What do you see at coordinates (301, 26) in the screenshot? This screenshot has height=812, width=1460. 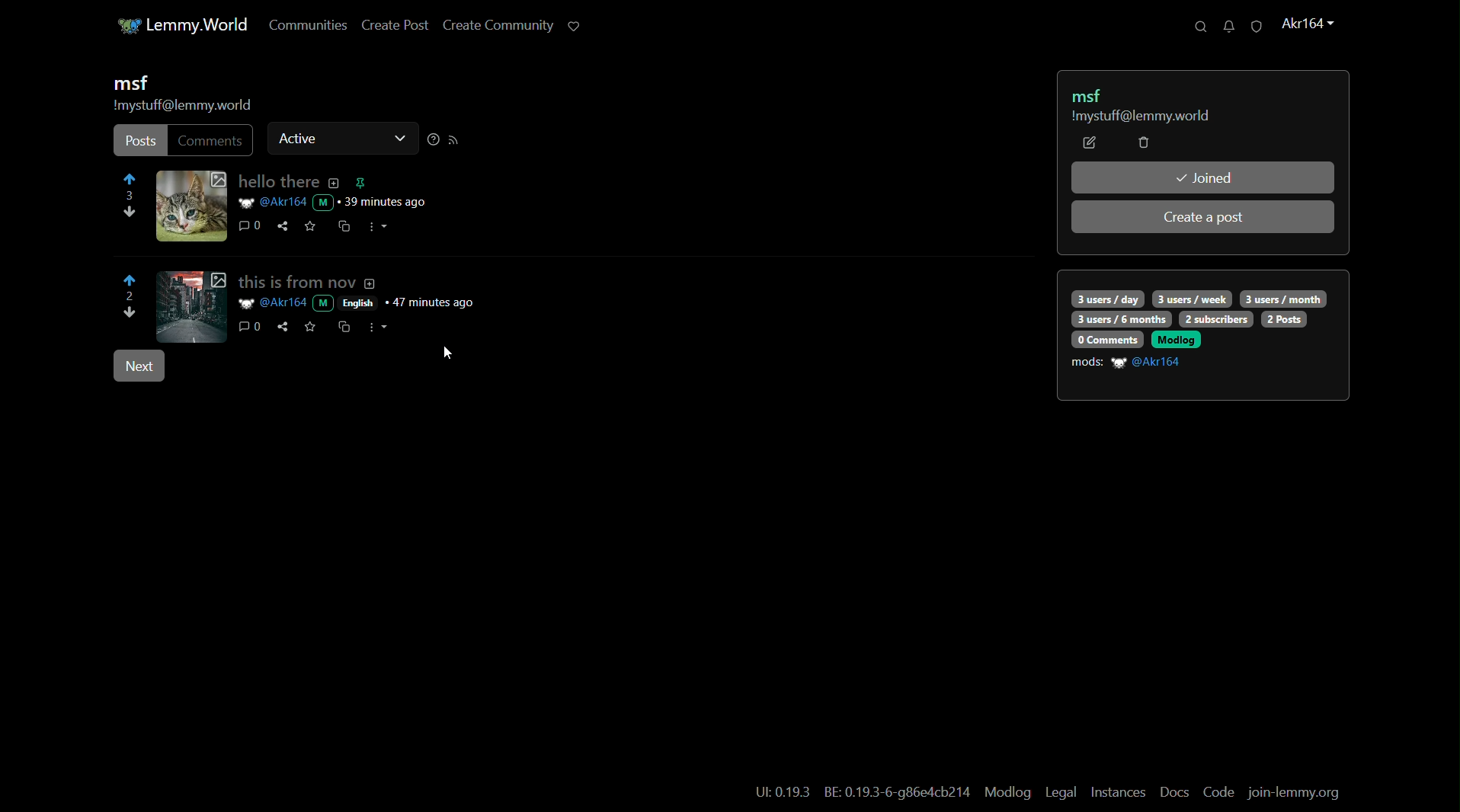 I see `ommunities` at bounding box center [301, 26].